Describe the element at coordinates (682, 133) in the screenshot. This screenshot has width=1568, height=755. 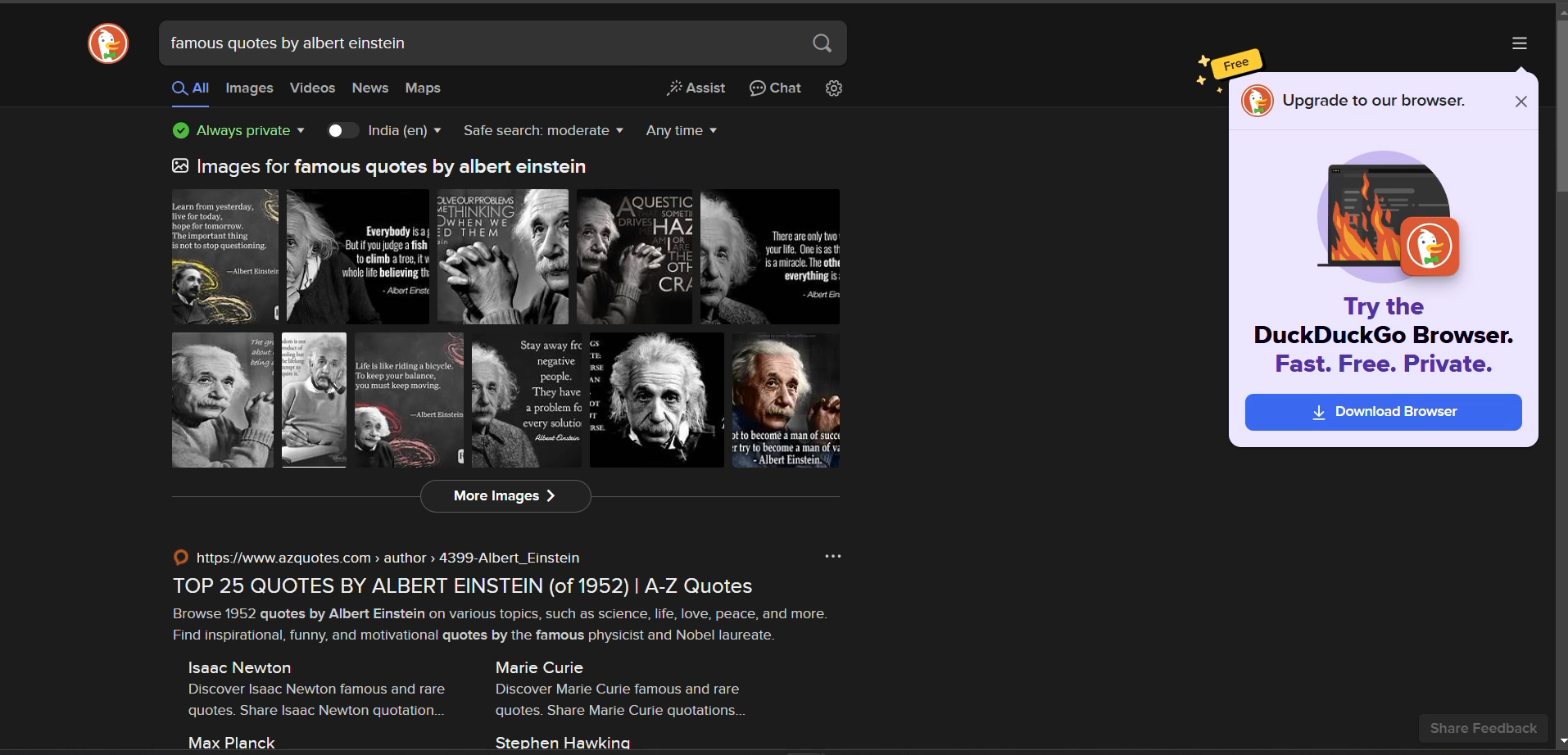
I see `results timeline filter` at that location.